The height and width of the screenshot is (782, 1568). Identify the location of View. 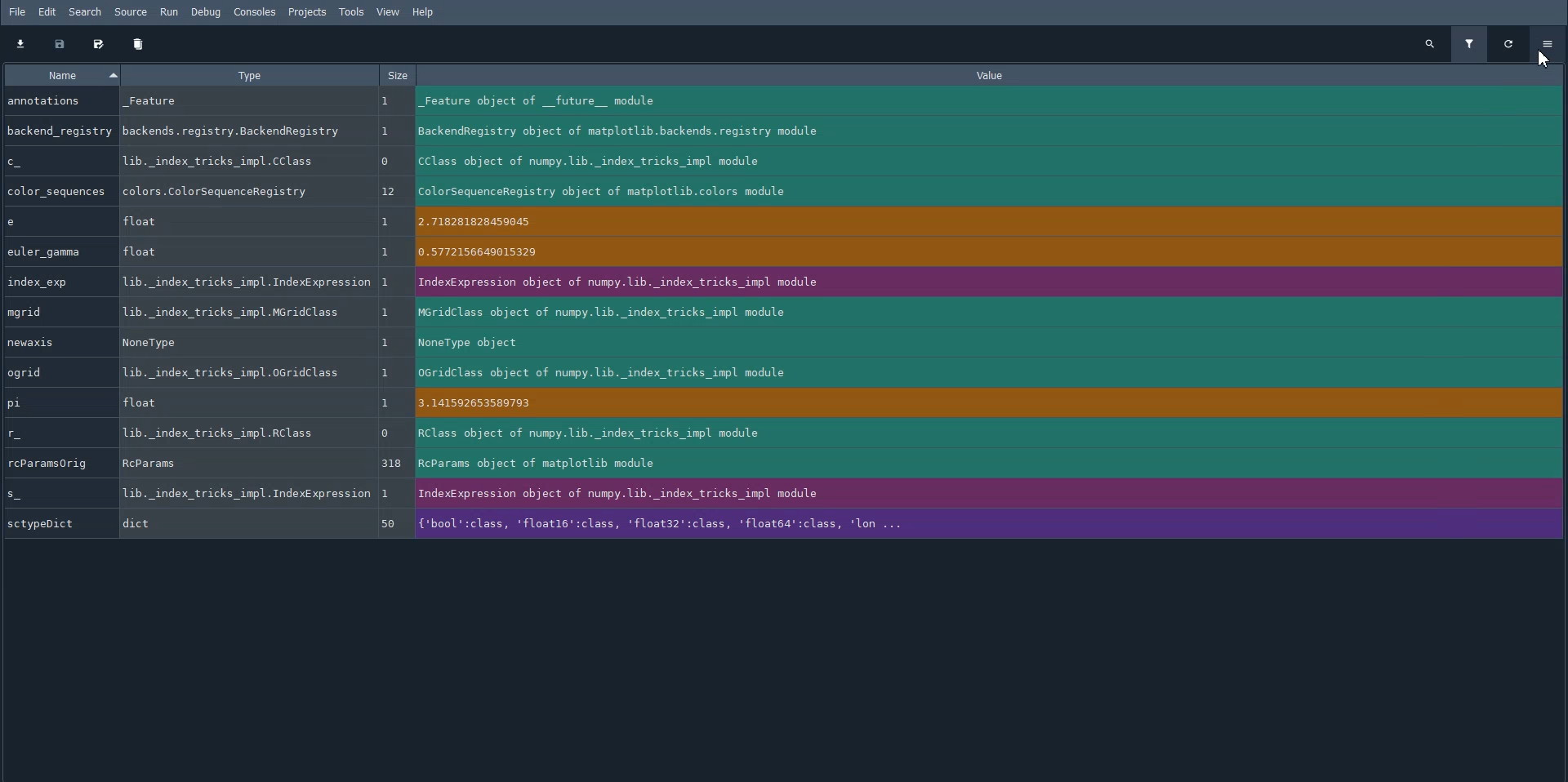
(388, 11).